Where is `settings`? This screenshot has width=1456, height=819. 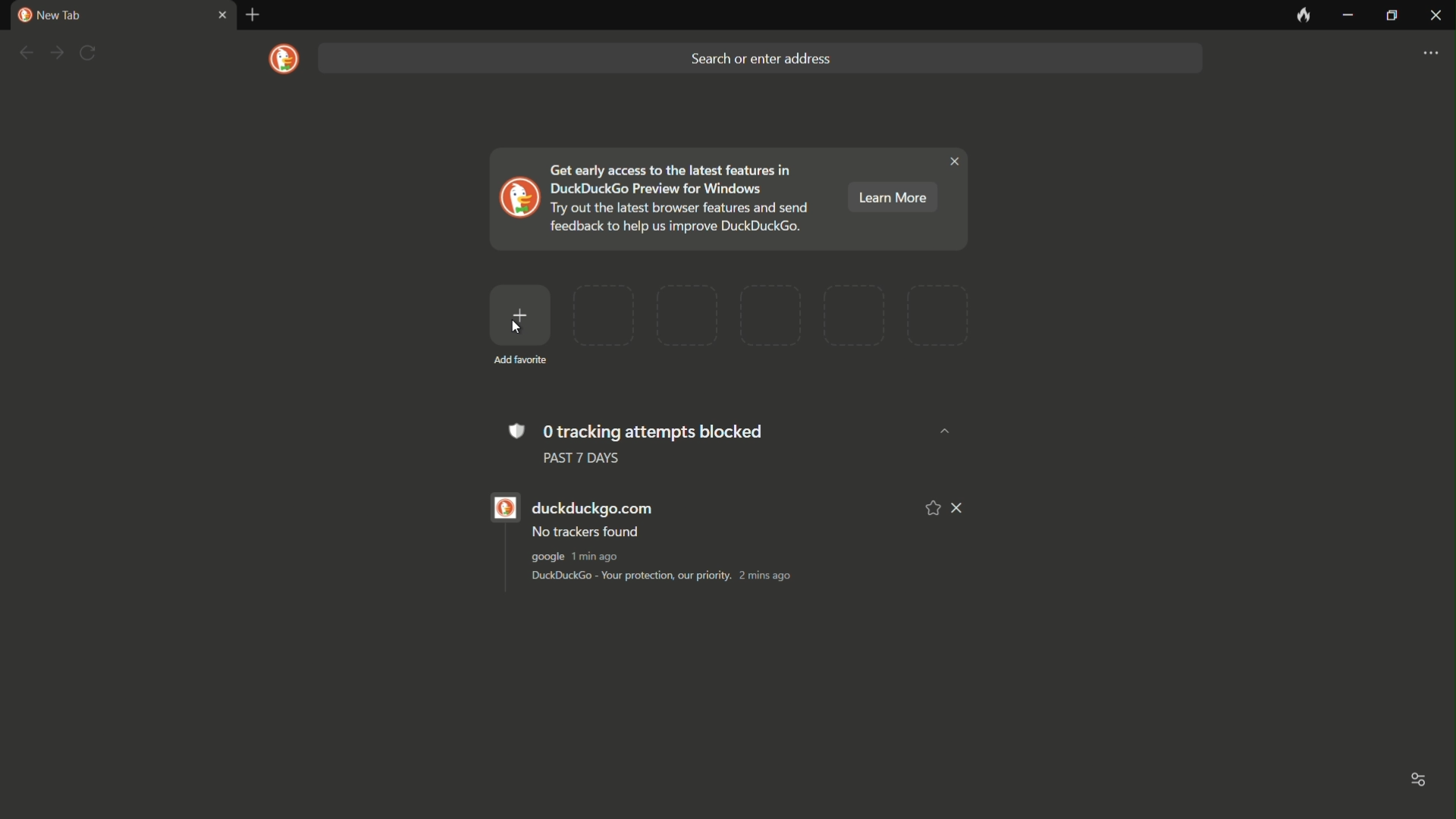
settings is located at coordinates (1430, 54).